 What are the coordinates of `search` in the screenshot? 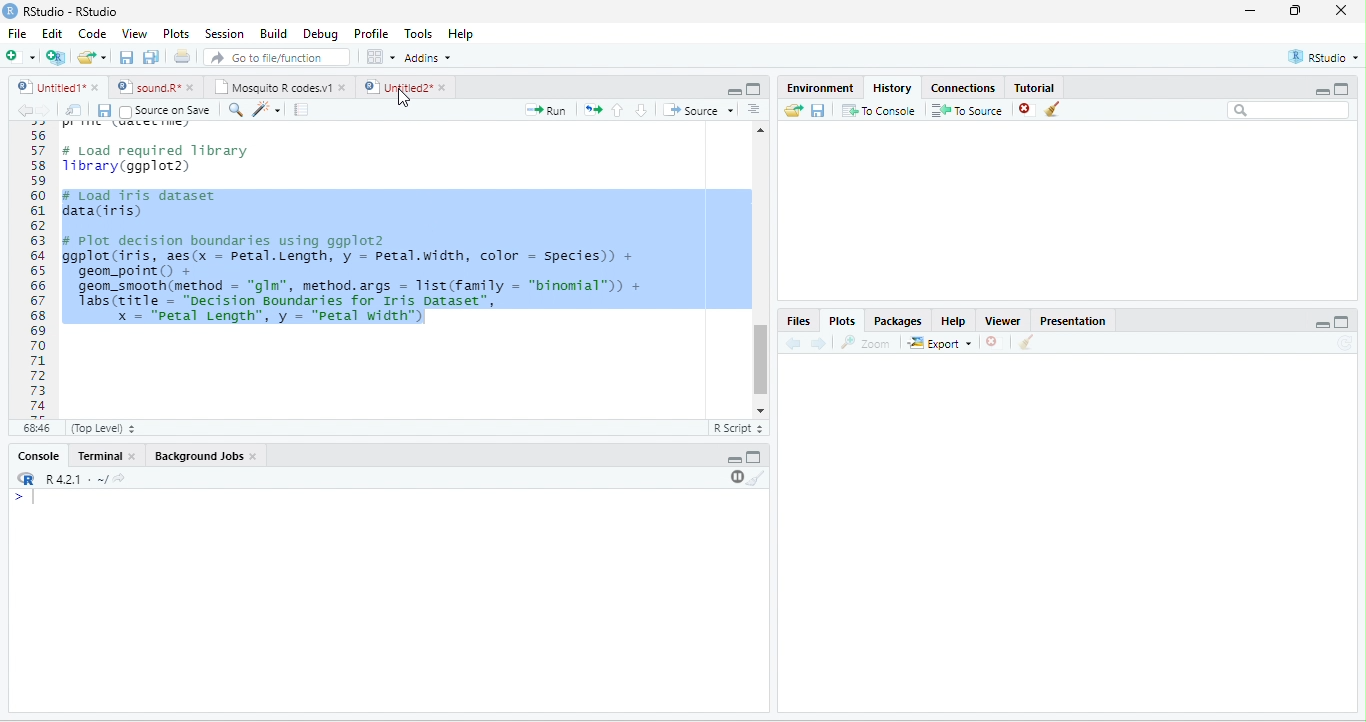 It's located at (234, 110).